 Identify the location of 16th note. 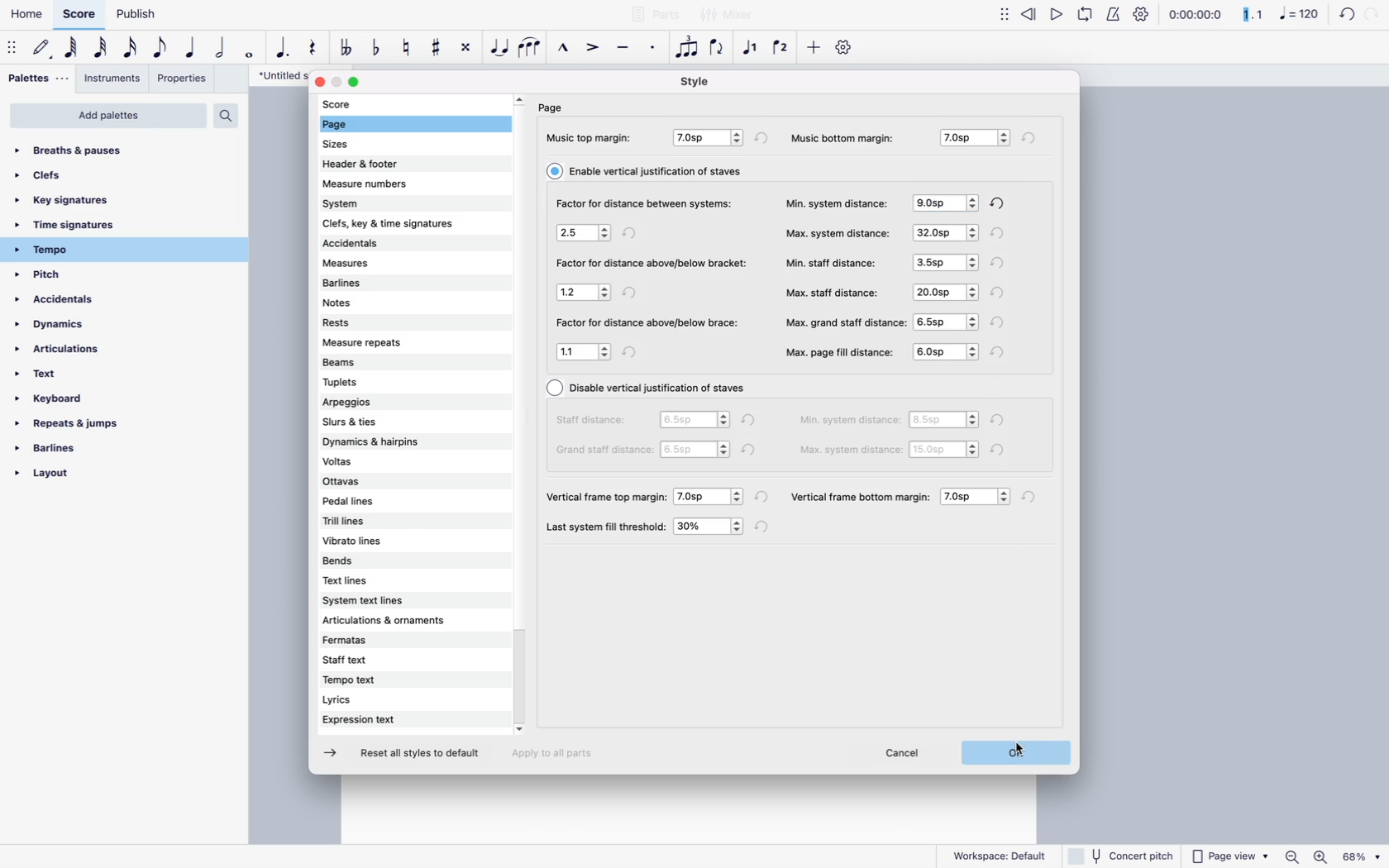
(131, 48).